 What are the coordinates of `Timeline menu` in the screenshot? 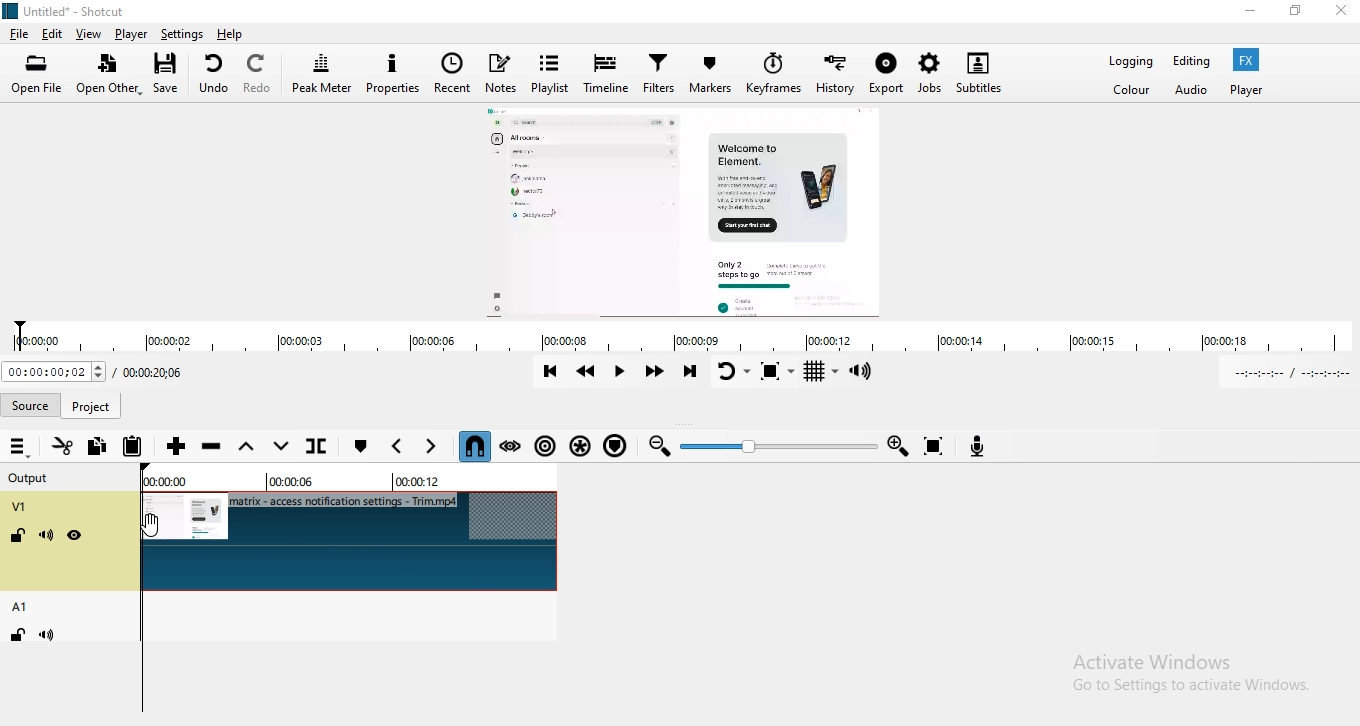 It's located at (20, 450).